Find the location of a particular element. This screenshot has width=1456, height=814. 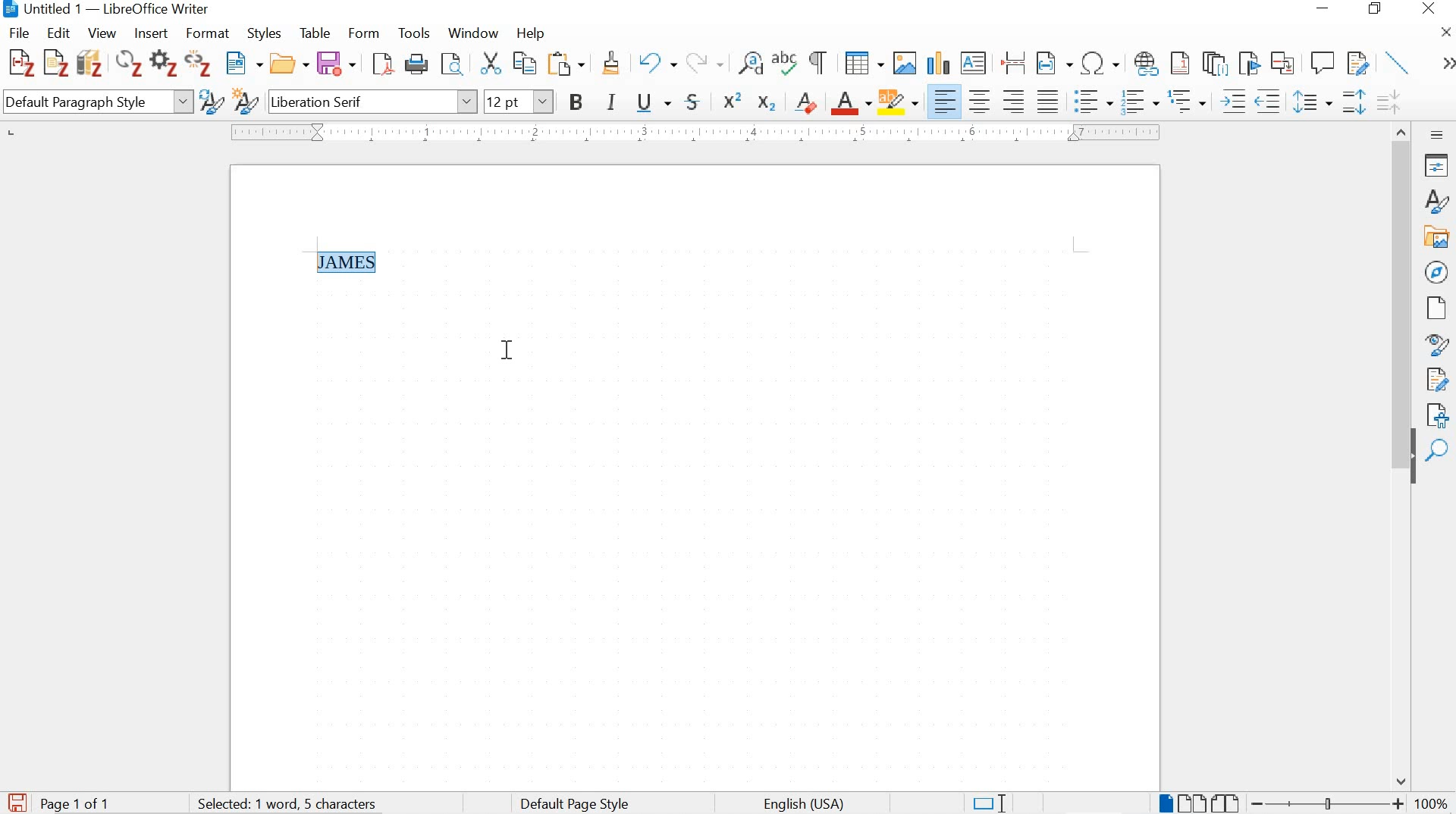

add/edit bibliography is located at coordinates (89, 62).